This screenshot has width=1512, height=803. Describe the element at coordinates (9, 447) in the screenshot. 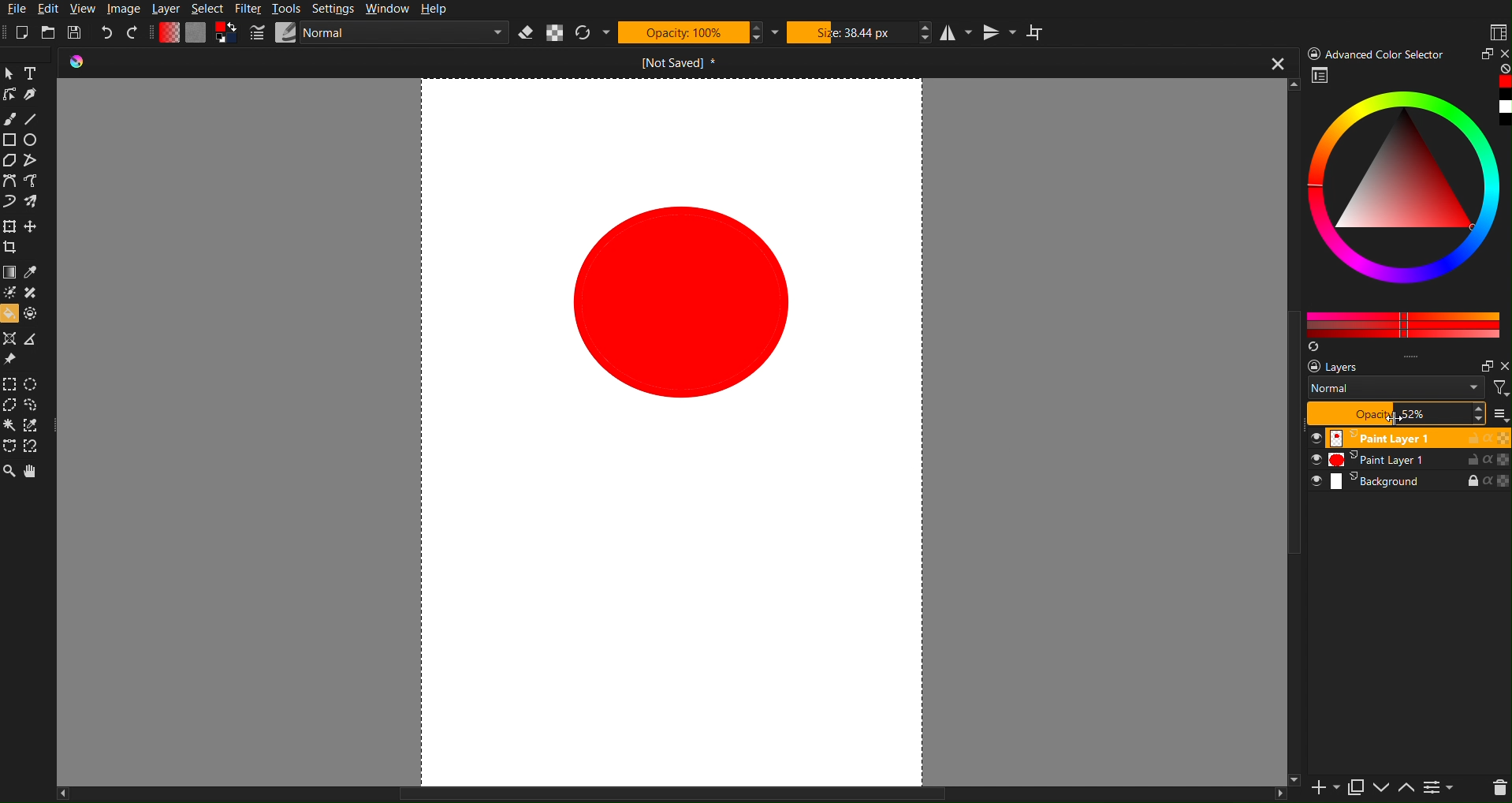

I see `Bezier Curve` at that location.